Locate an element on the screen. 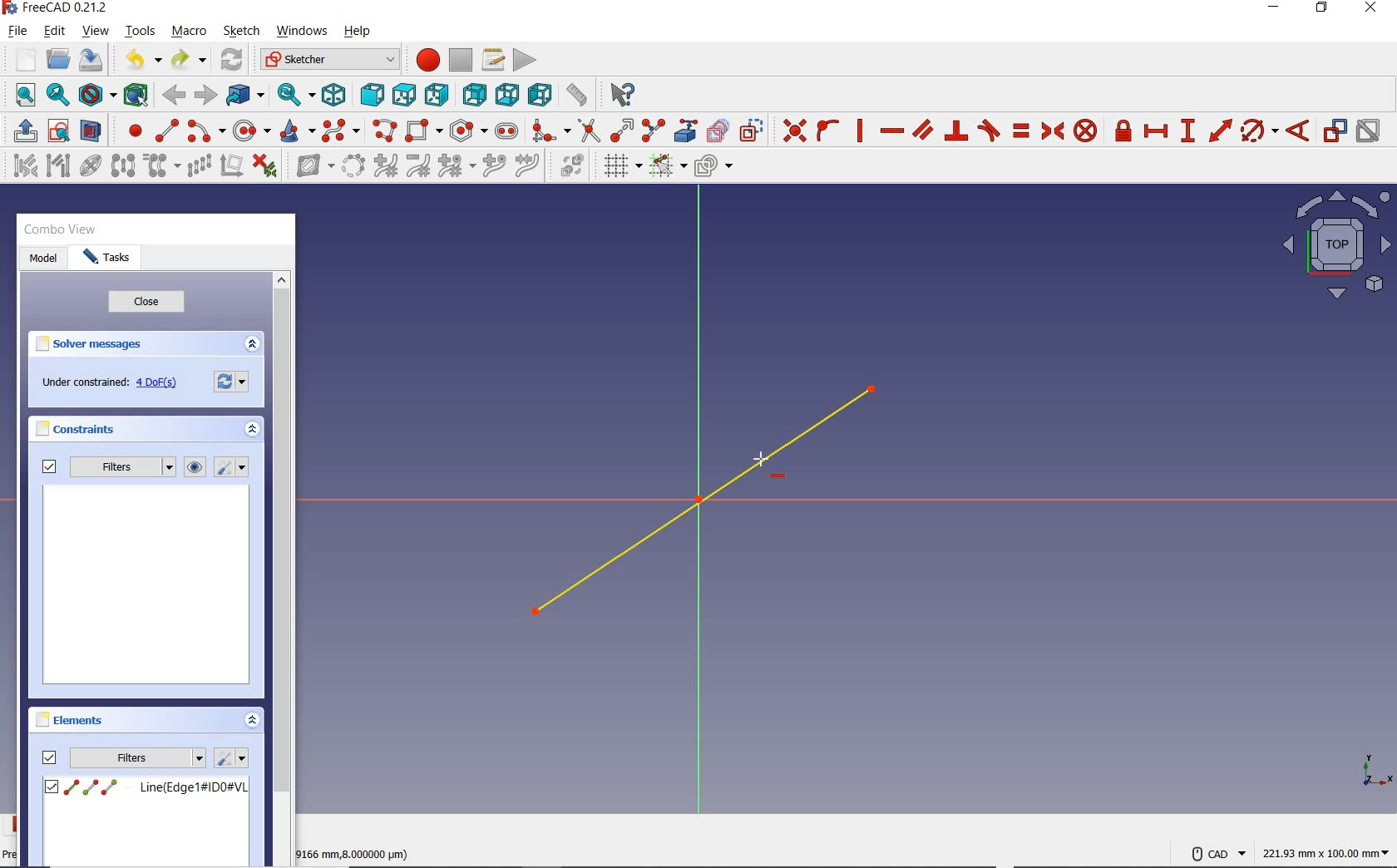 Image resolution: width=1397 pixels, height=868 pixels. sketch view is located at coordinates (1334, 246).